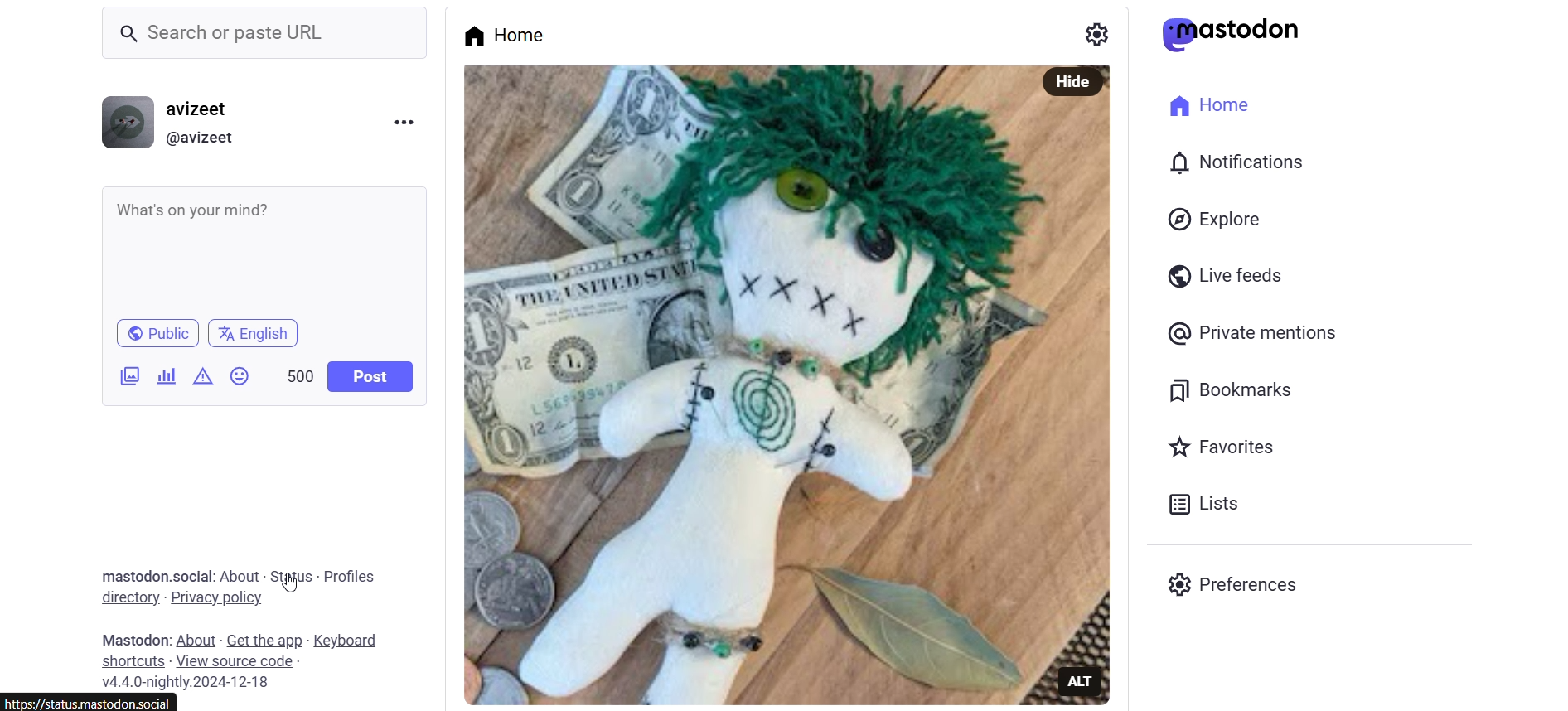  I want to click on add a poll, so click(166, 378).